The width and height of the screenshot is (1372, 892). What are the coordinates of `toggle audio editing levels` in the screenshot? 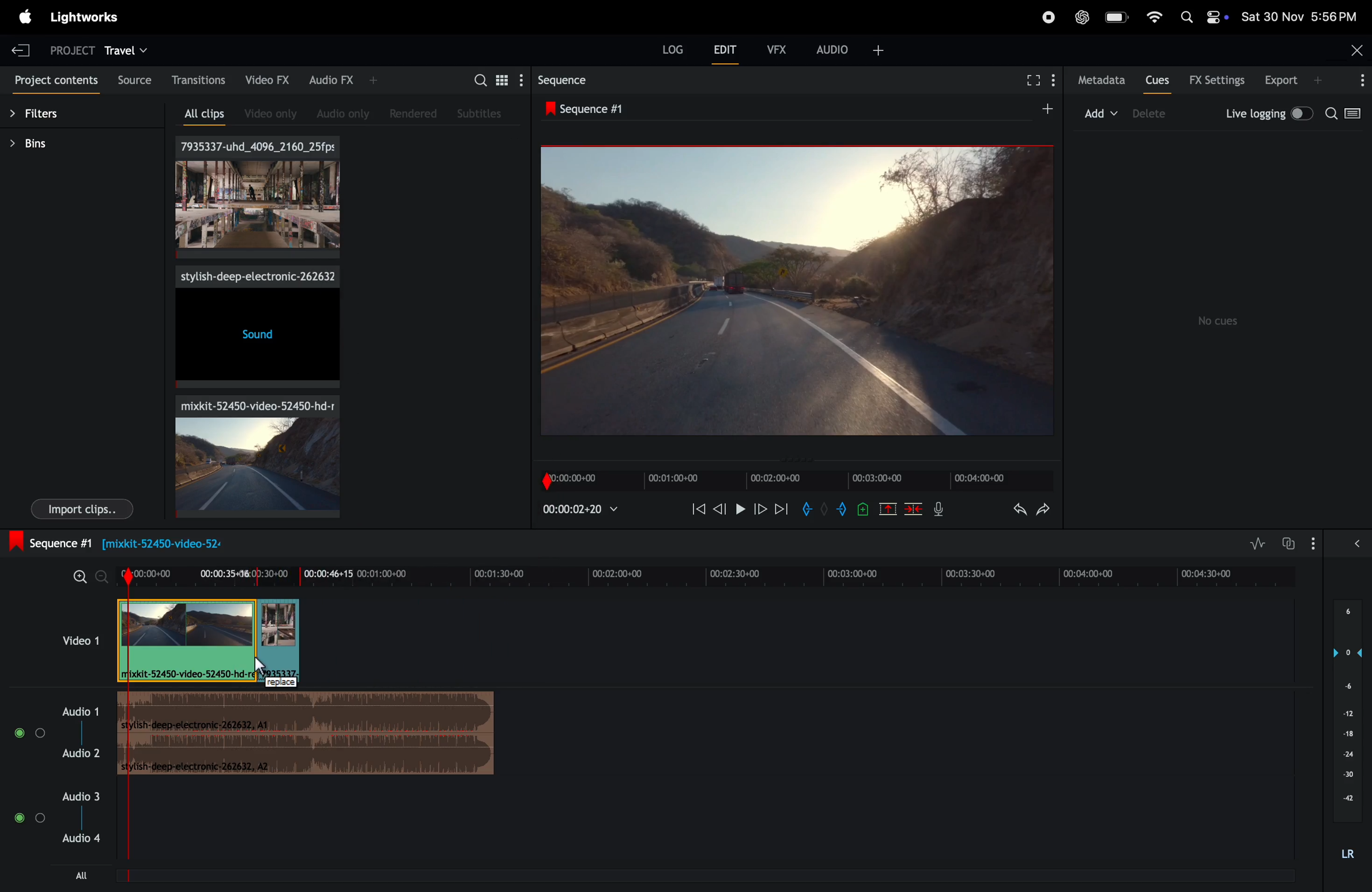 It's located at (1254, 543).